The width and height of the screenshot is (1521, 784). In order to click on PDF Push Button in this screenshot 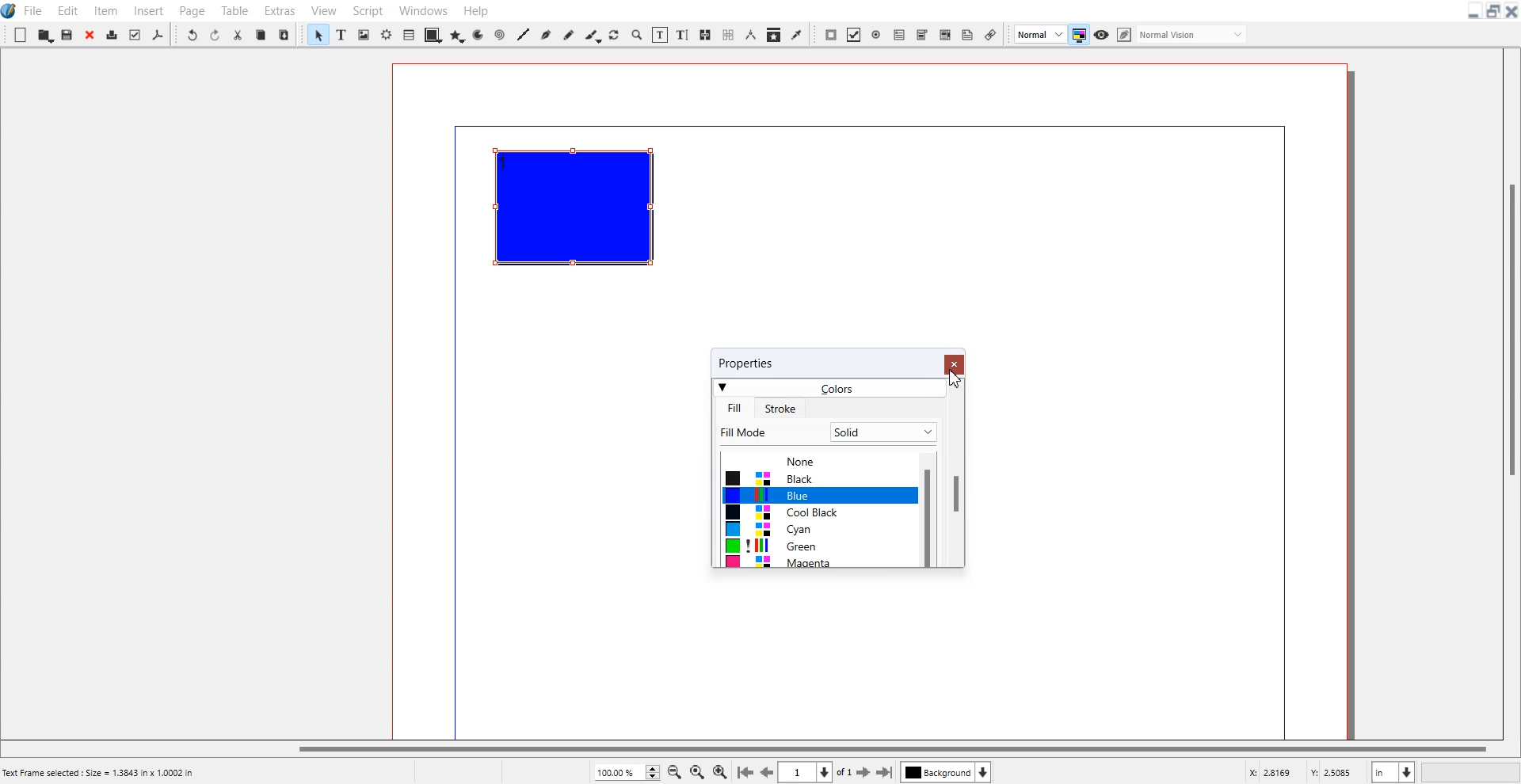, I will do `click(830, 35)`.